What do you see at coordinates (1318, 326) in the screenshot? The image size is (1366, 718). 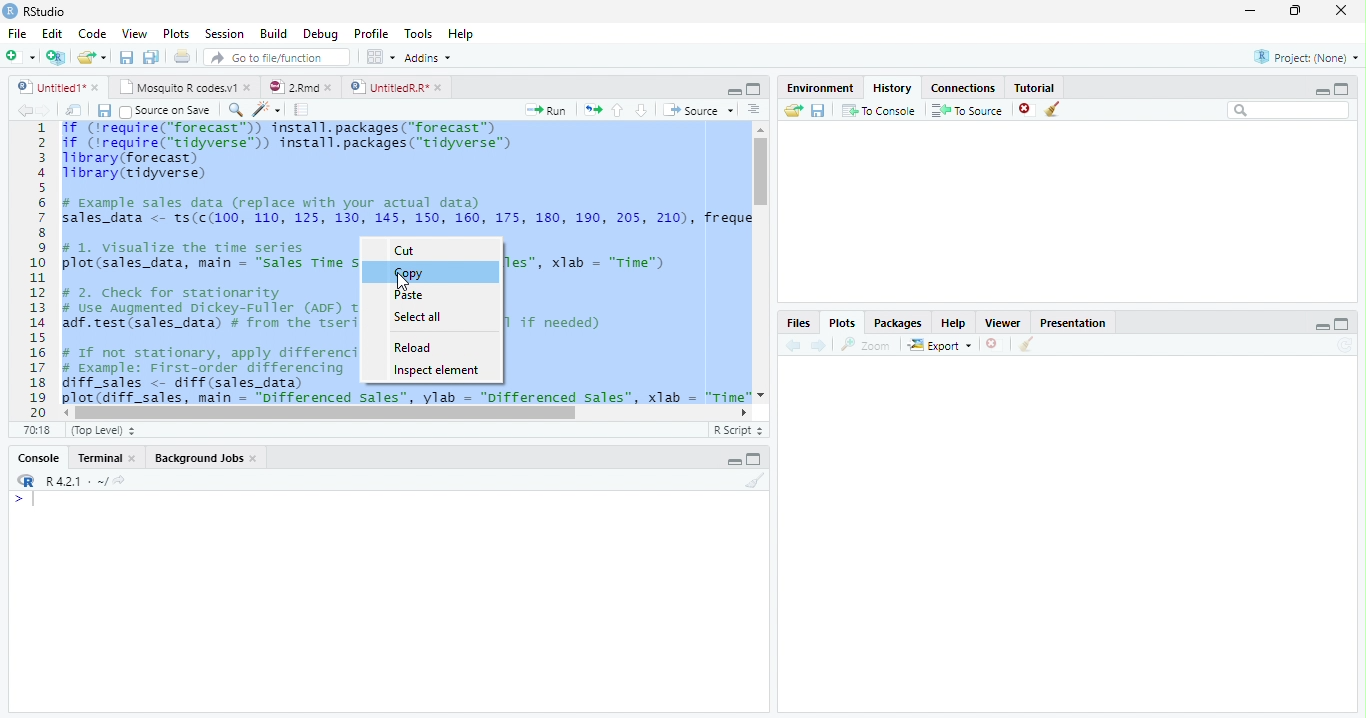 I see `Minimize` at bounding box center [1318, 326].